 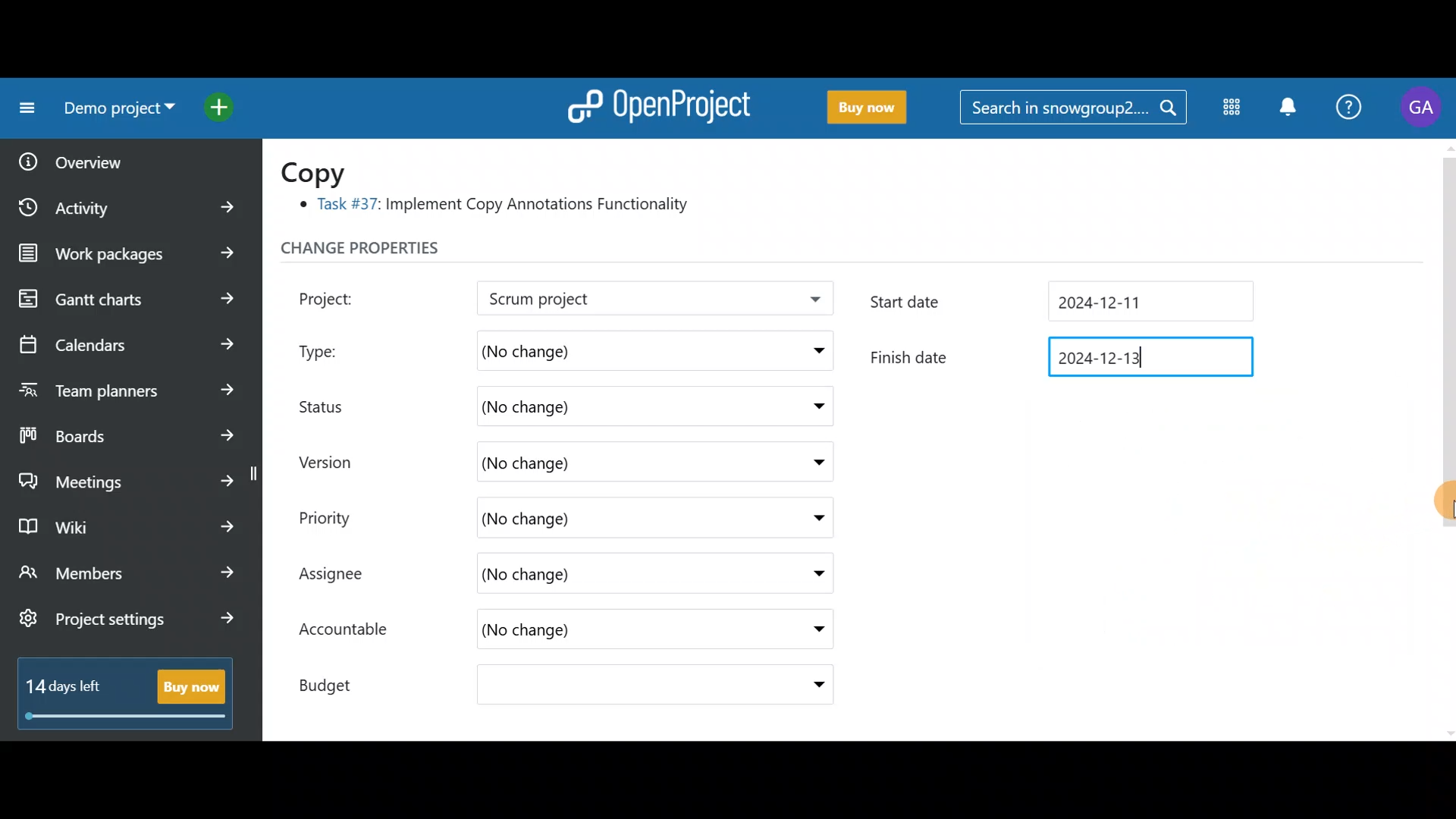 I want to click on 2024-12-13, so click(x=1150, y=358).